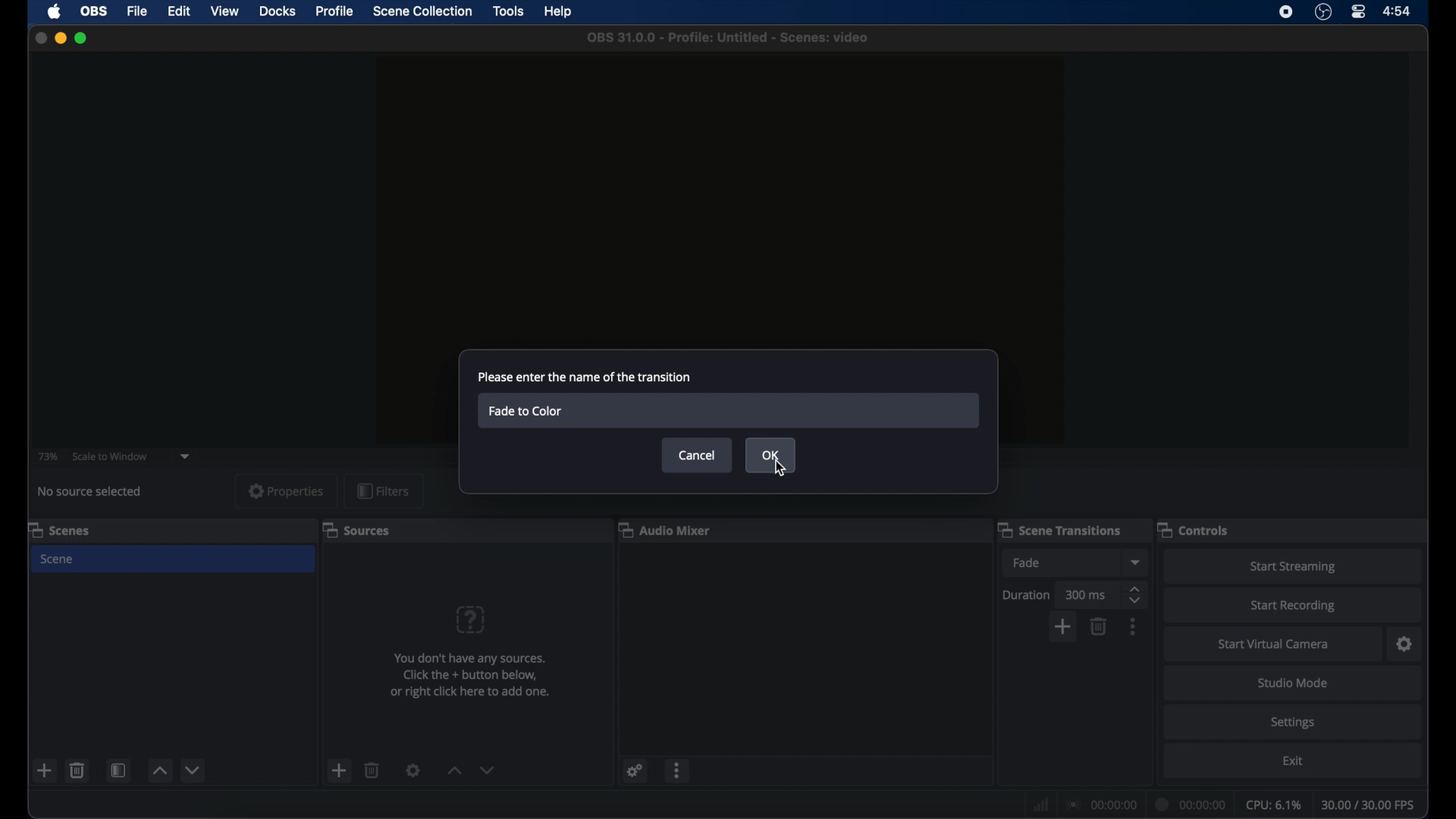 The height and width of the screenshot is (819, 1456). What do you see at coordinates (722, 199) in the screenshot?
I see `preview` at bounding box center [722, 199].